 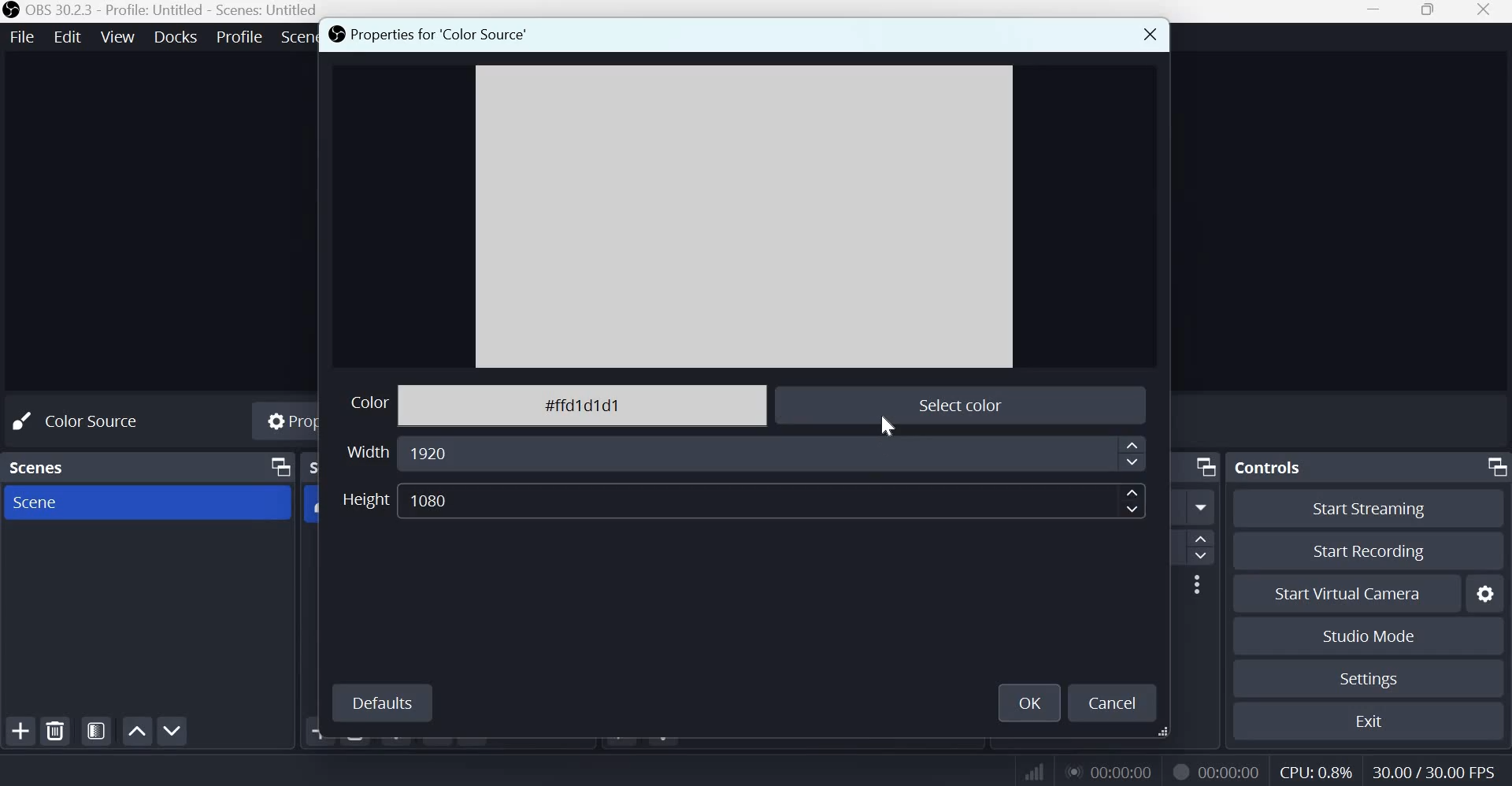 What do you see at coordinates (238, 36) in the screenshot?
I see `Profile` at bounding box center [238, 36].